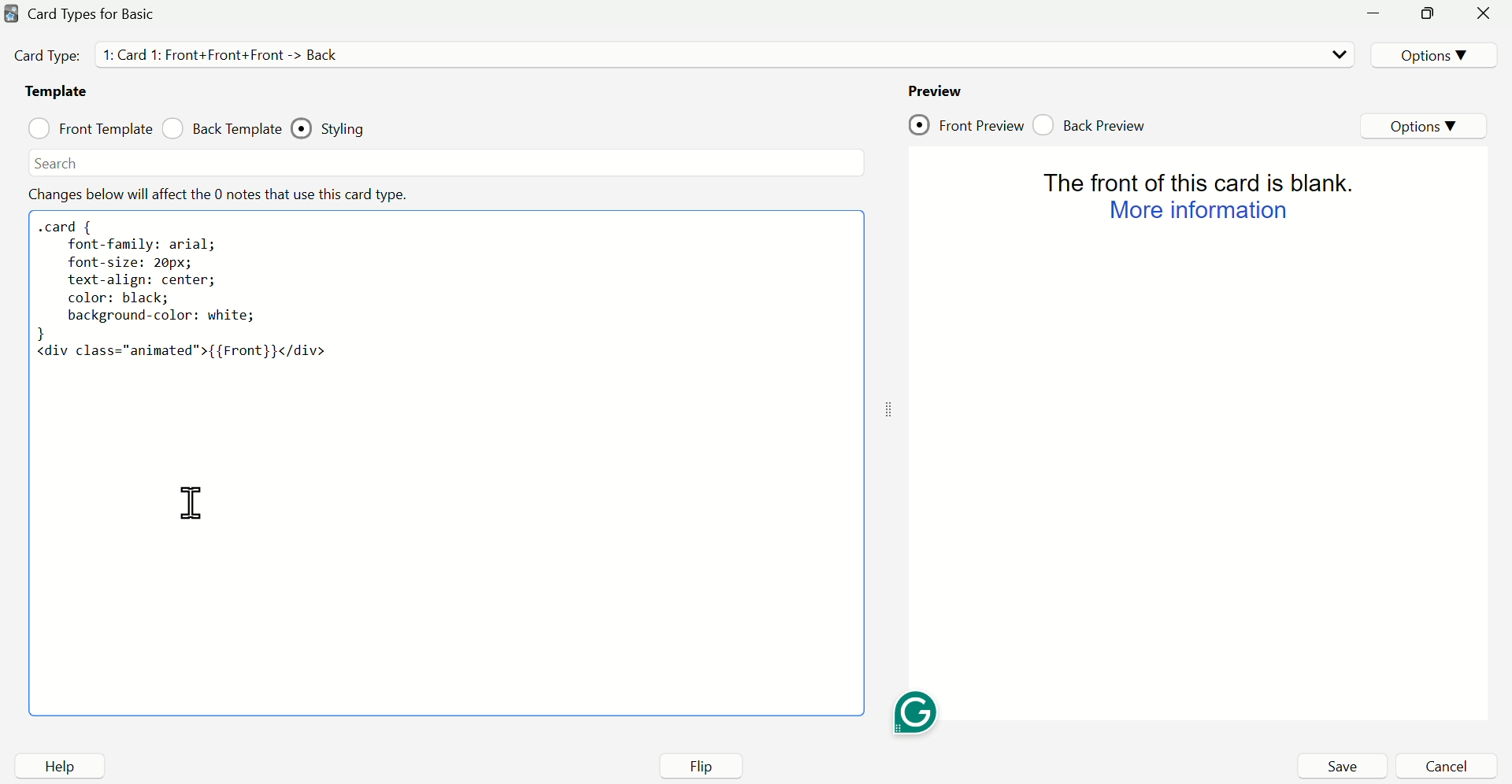 This screenshot has width=1512, height=784. I want to click on Close, so click(1484, 17).